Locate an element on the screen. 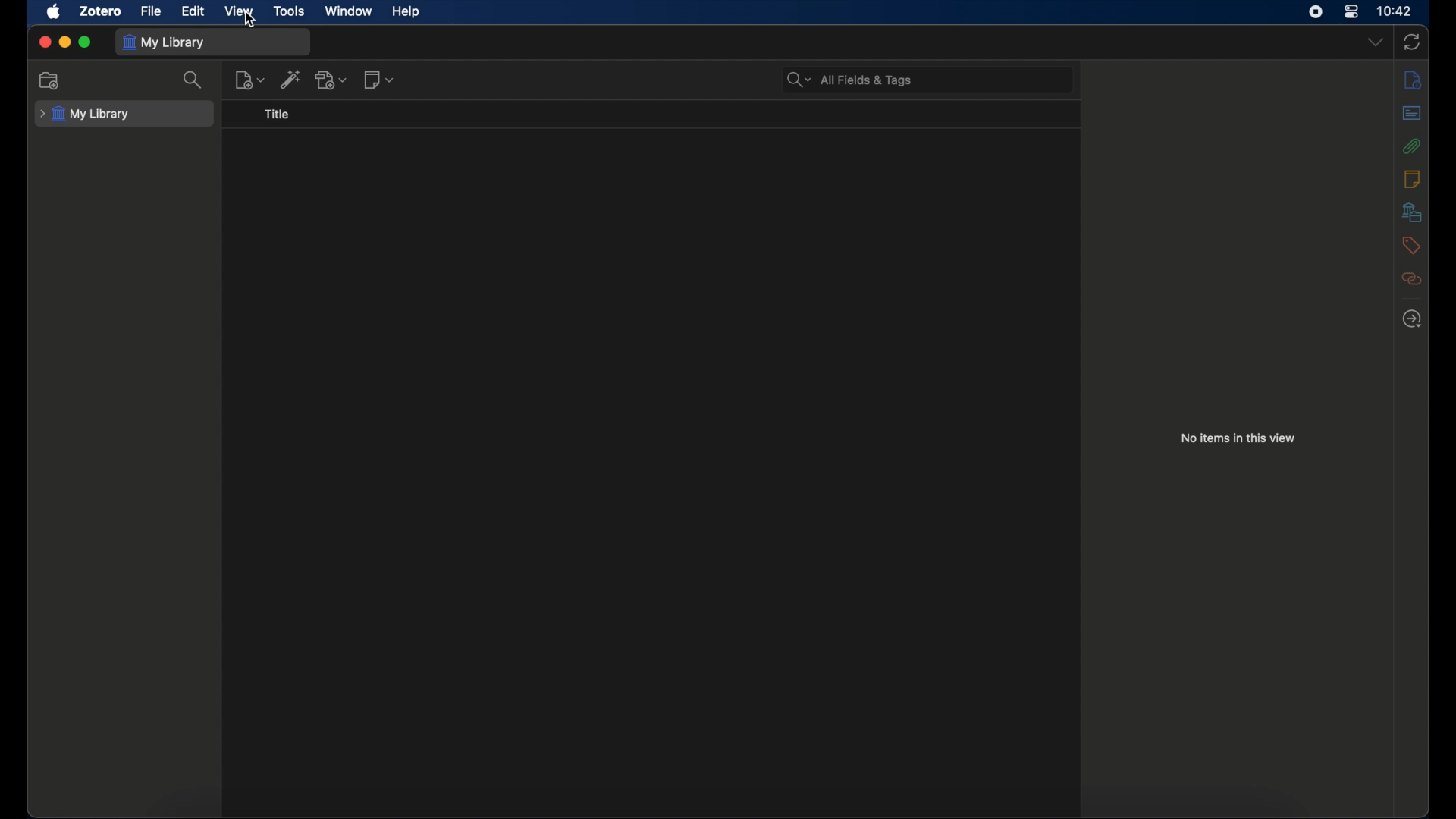 The height and width of the screenshot is (819, 1456). new item is located at coordinates (250, 80).